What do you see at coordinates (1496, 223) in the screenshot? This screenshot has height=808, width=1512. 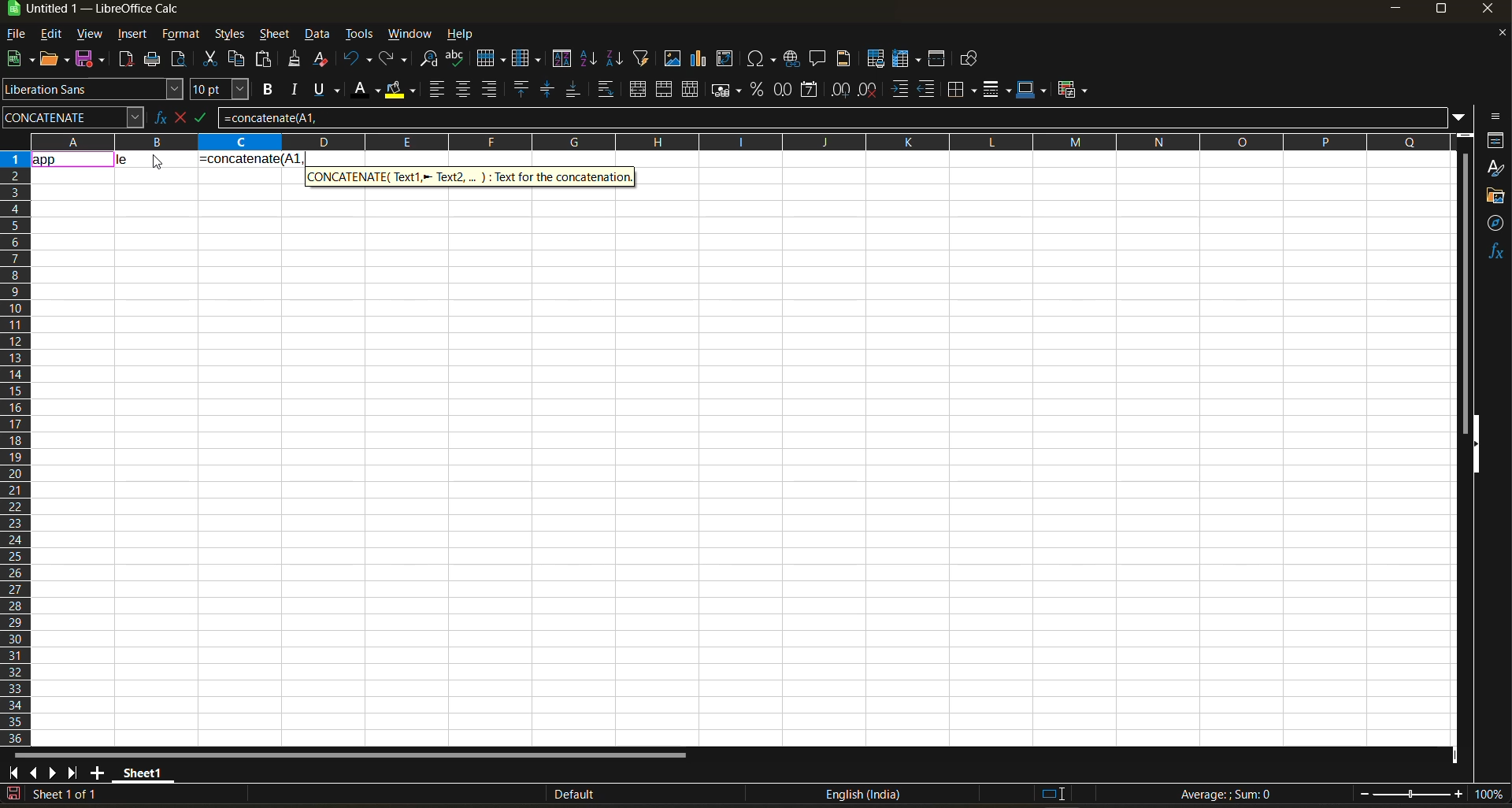 I see `navigator` at bounding box center [1496, 223].